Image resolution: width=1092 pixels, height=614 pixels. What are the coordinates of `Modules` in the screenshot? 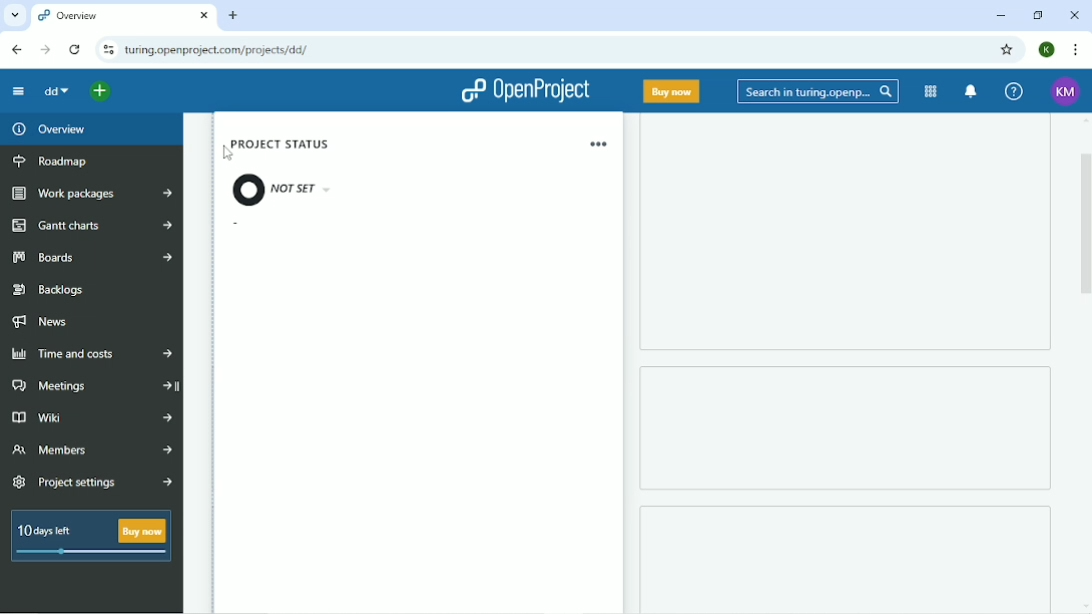 It's located at (931, 92).